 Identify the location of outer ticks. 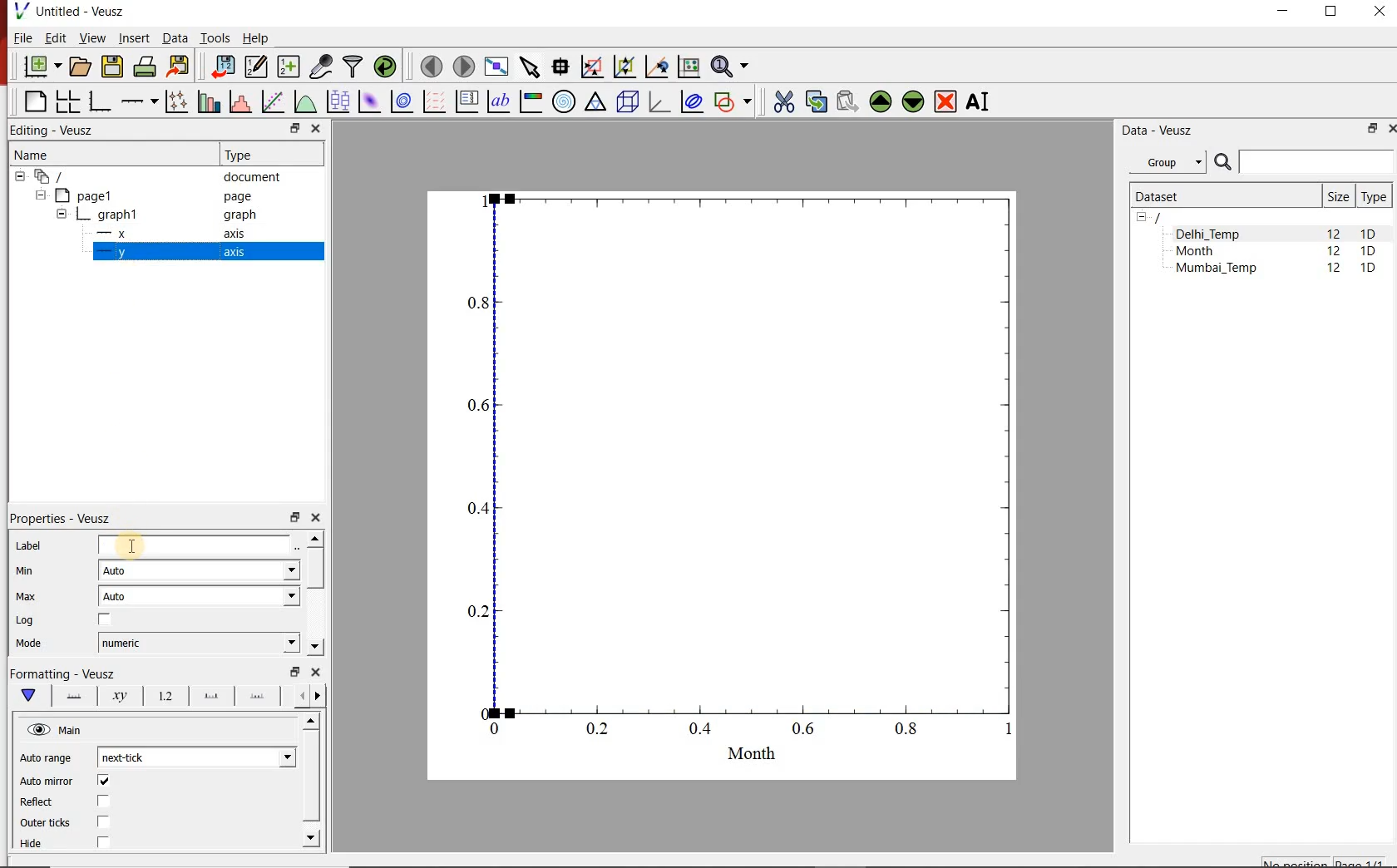
(46, 824).